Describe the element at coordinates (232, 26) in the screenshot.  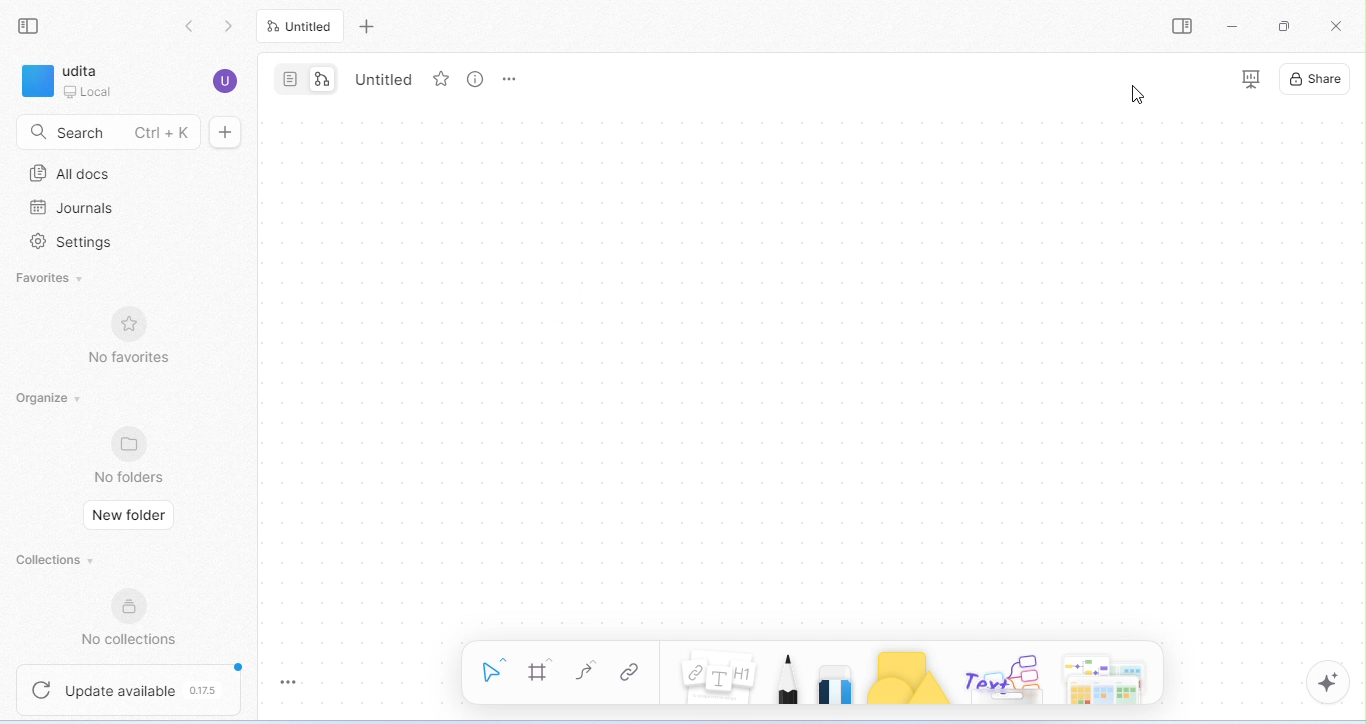
I see `go previous` at that location.